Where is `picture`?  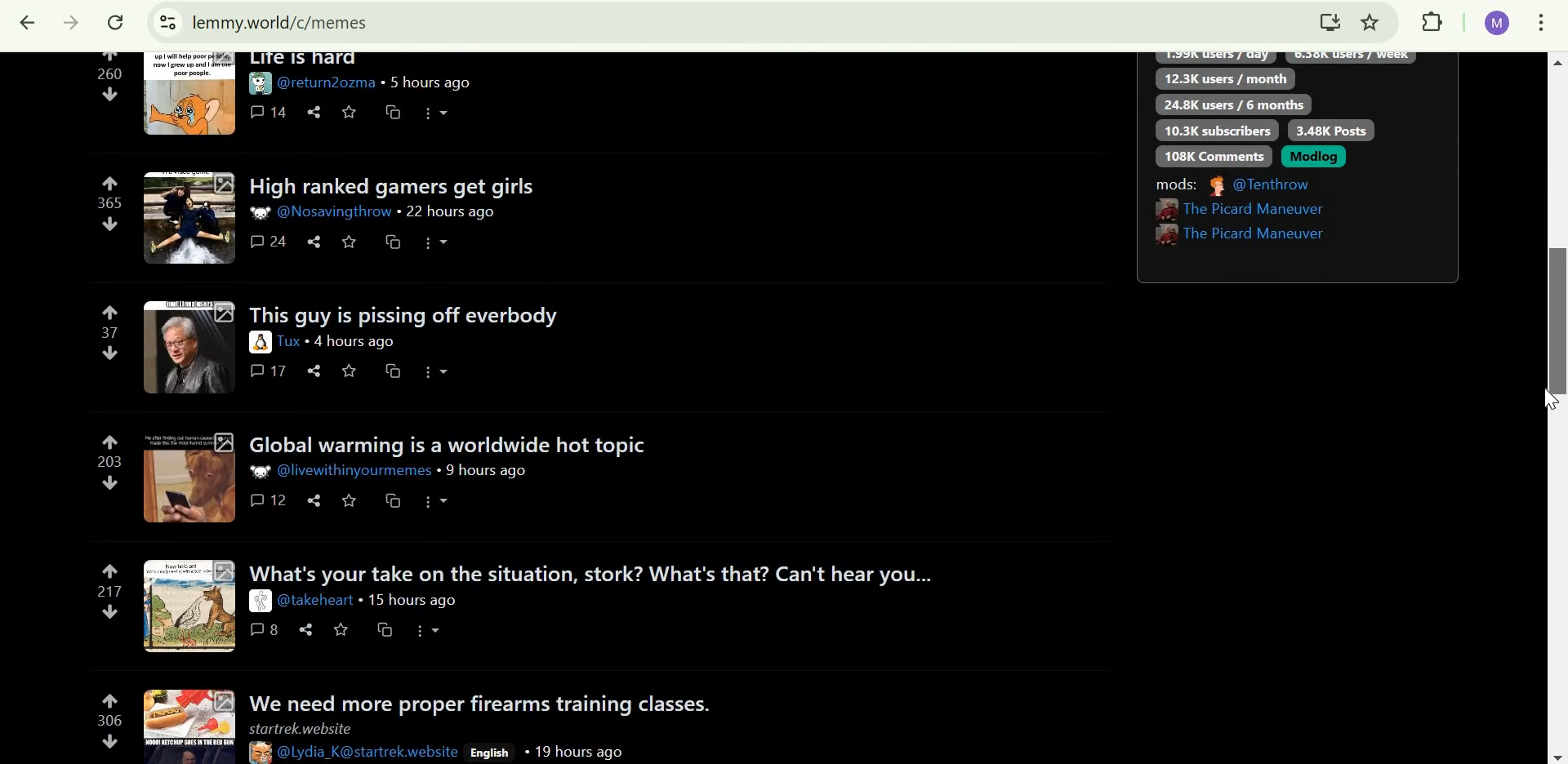 picture is located at coordinates (260, 602).